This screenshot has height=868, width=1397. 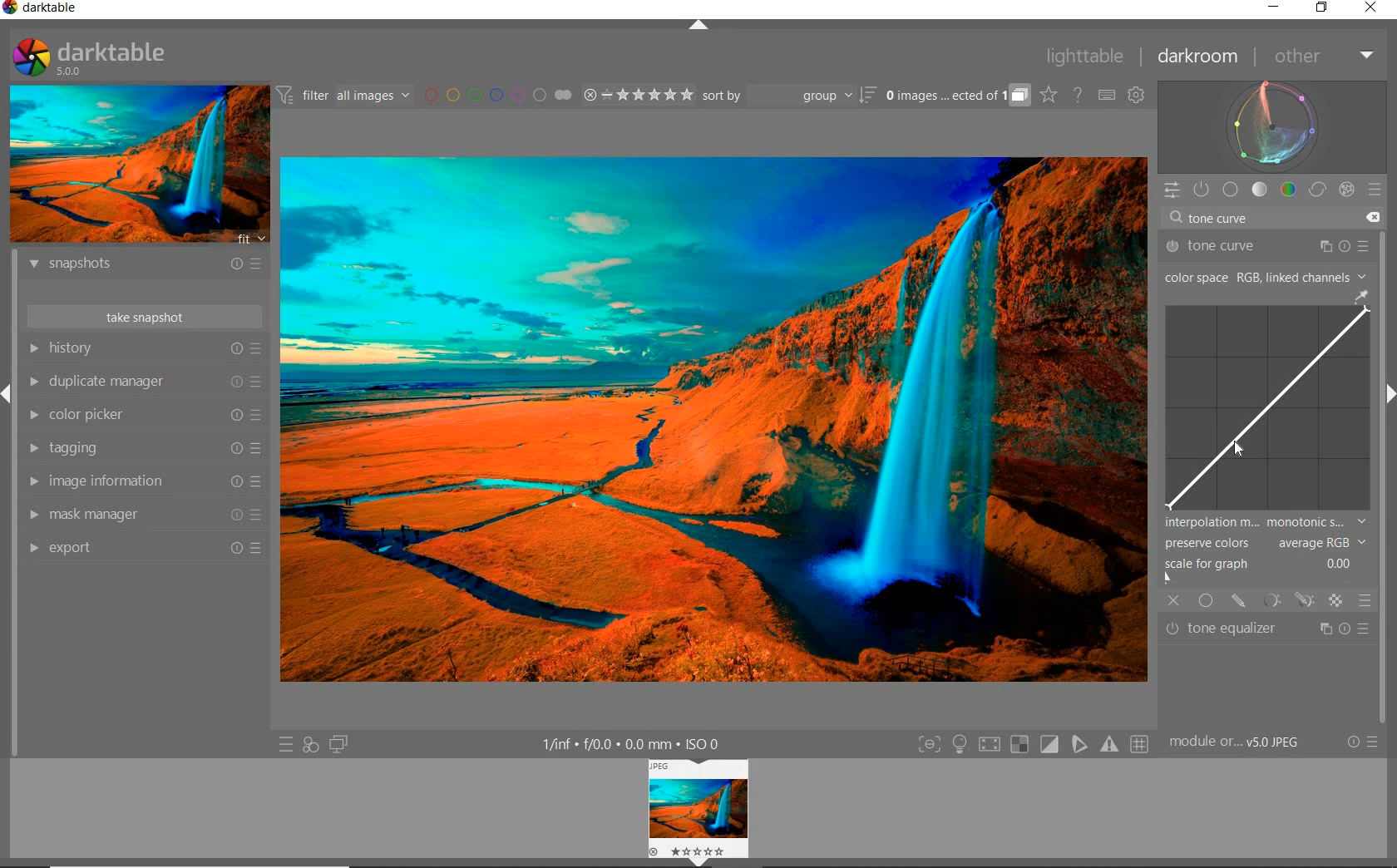 What do you see at coordinates (1172, 190) in the screenshot?
I see `QUICK ACCESS PANEL` at bounding box center [1172, 190].